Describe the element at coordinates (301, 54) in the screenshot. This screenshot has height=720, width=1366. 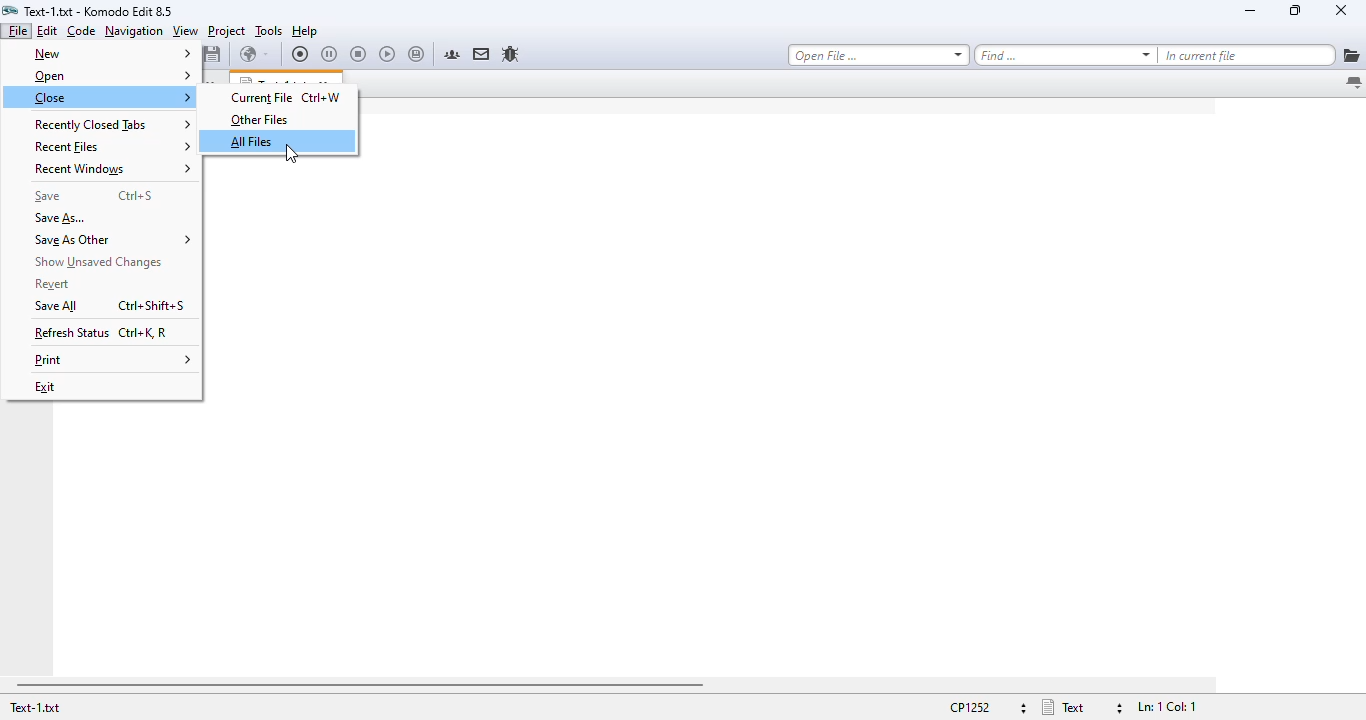
I see `record macro` at that location.